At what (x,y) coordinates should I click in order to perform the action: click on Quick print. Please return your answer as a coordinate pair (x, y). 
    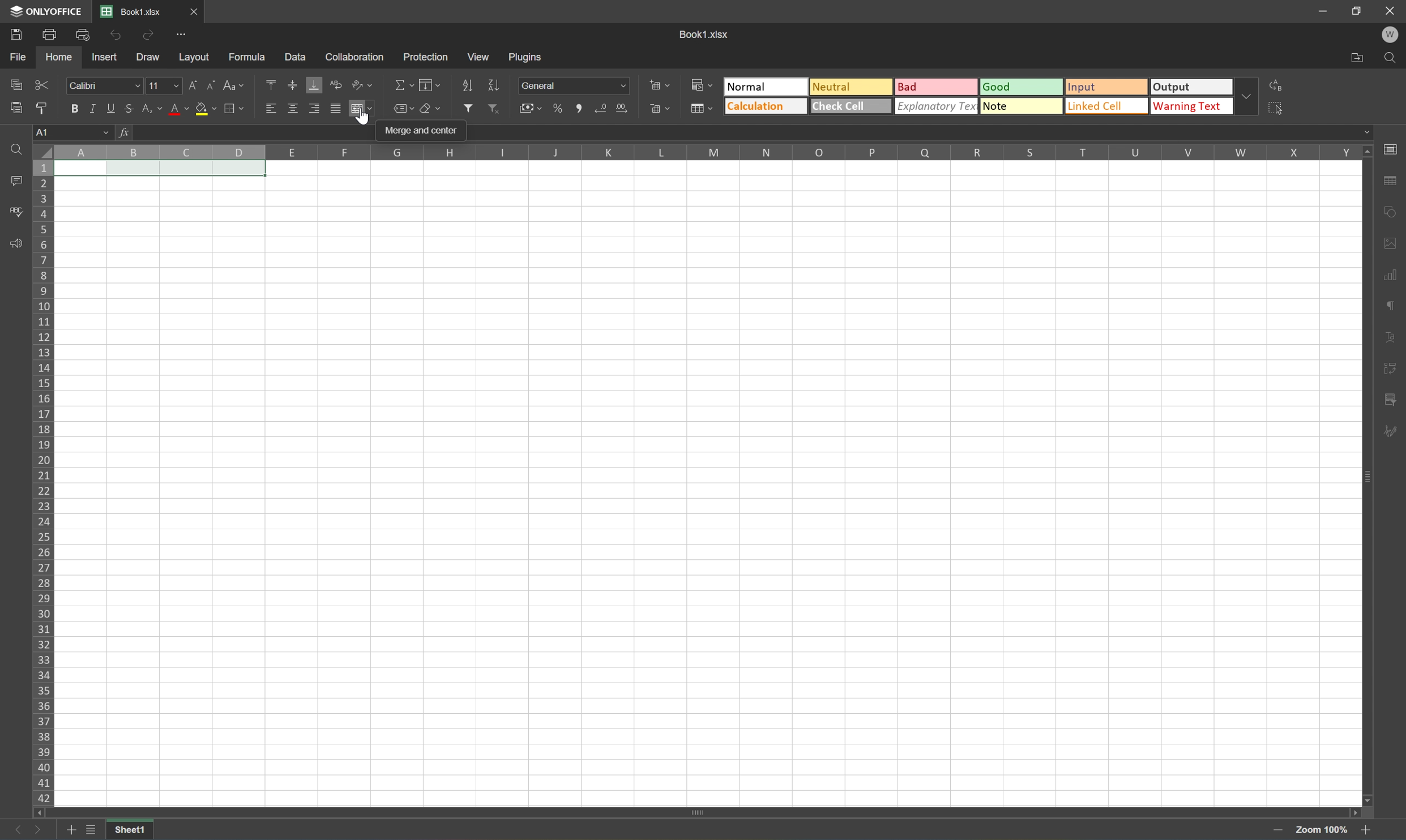
    Looking at the image, I should click on (87, 37).